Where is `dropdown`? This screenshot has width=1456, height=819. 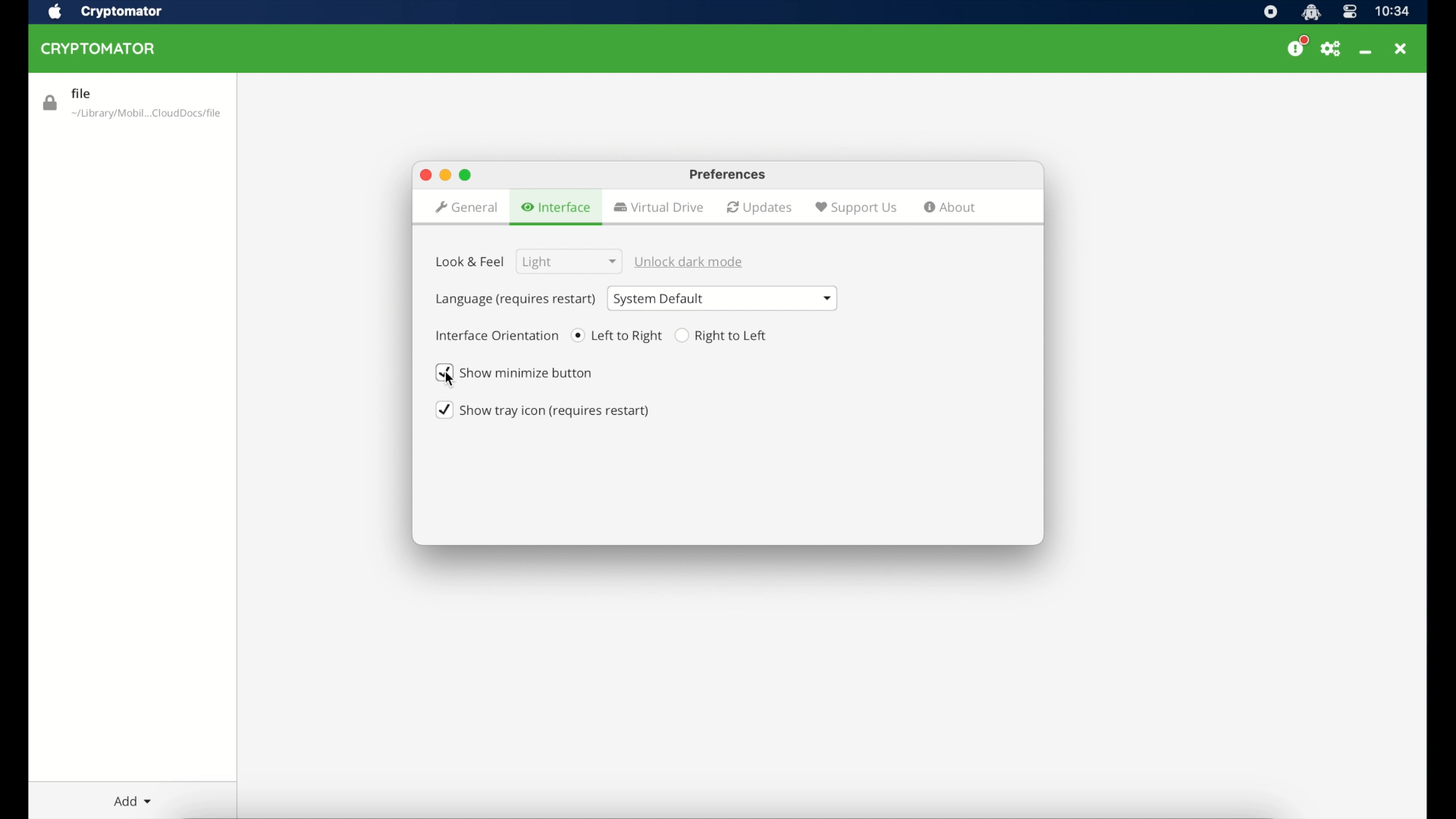
dropdown is located at coordinates (723, 298).